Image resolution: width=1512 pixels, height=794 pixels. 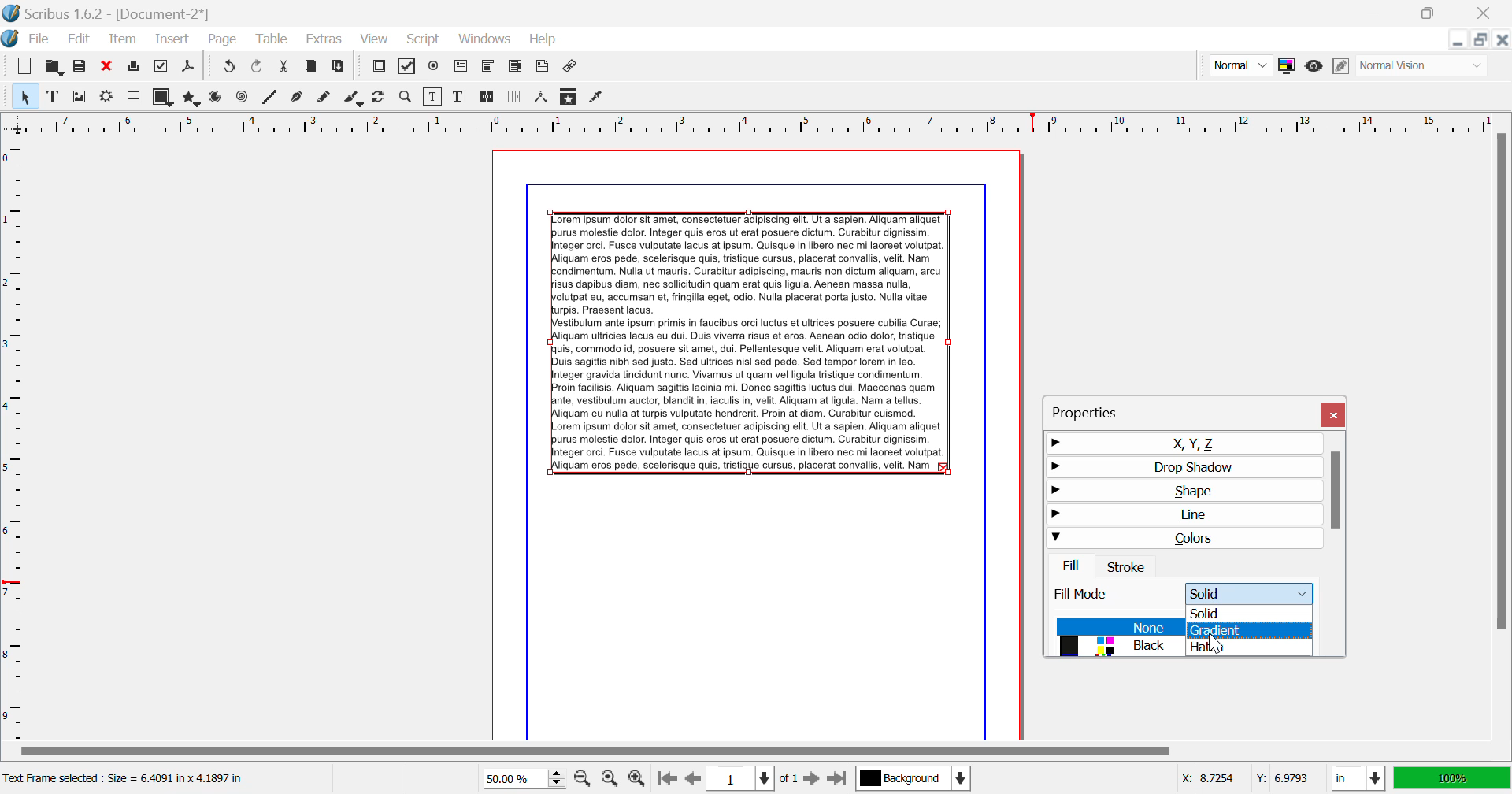 I want to click on Arcs, so click(x=217, y=98).